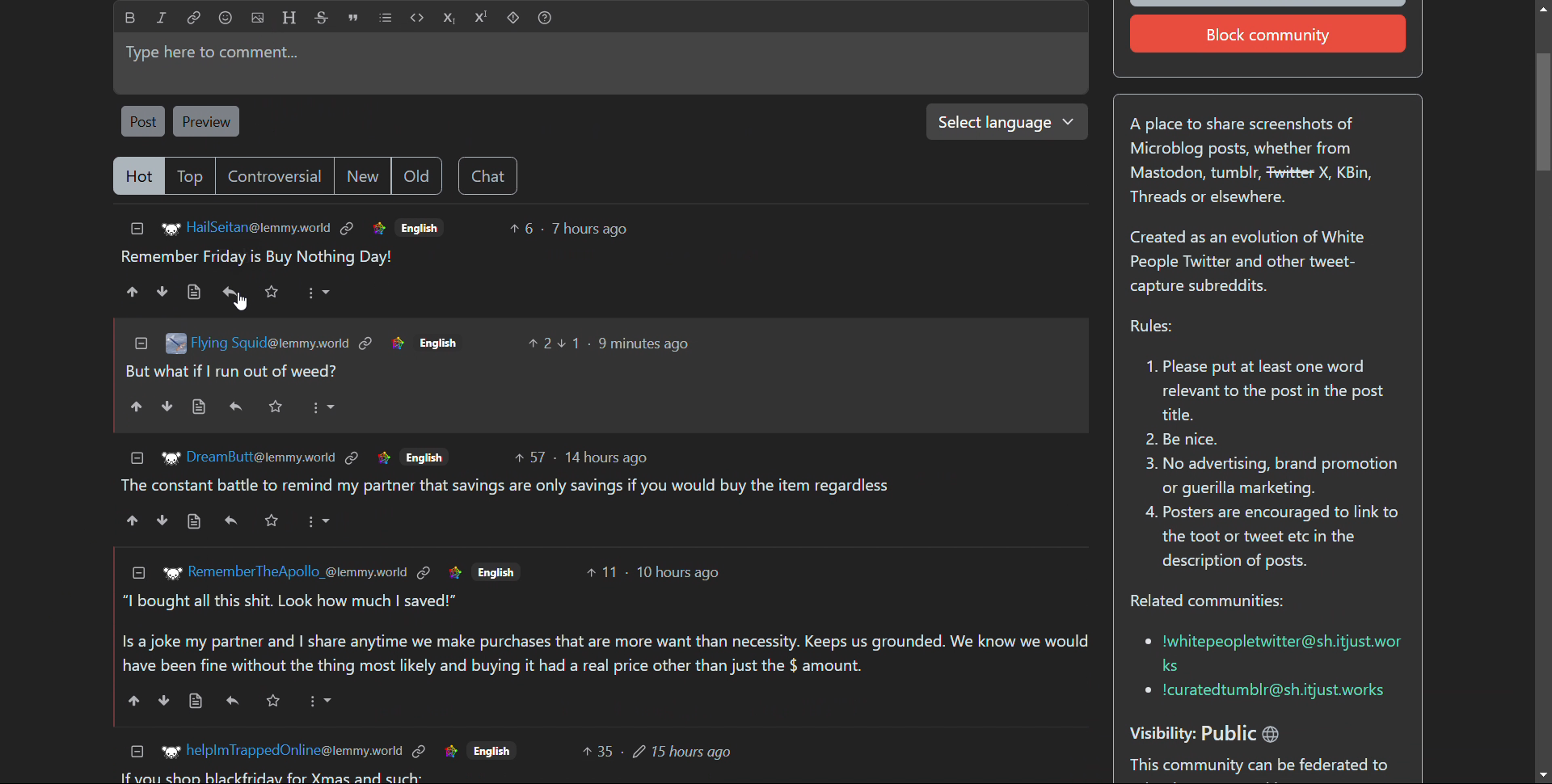 The width and height of the screenshot is (1552, 784). Describe the element at coordinates (453, 571) in the screenshot. I see `link` at that location.